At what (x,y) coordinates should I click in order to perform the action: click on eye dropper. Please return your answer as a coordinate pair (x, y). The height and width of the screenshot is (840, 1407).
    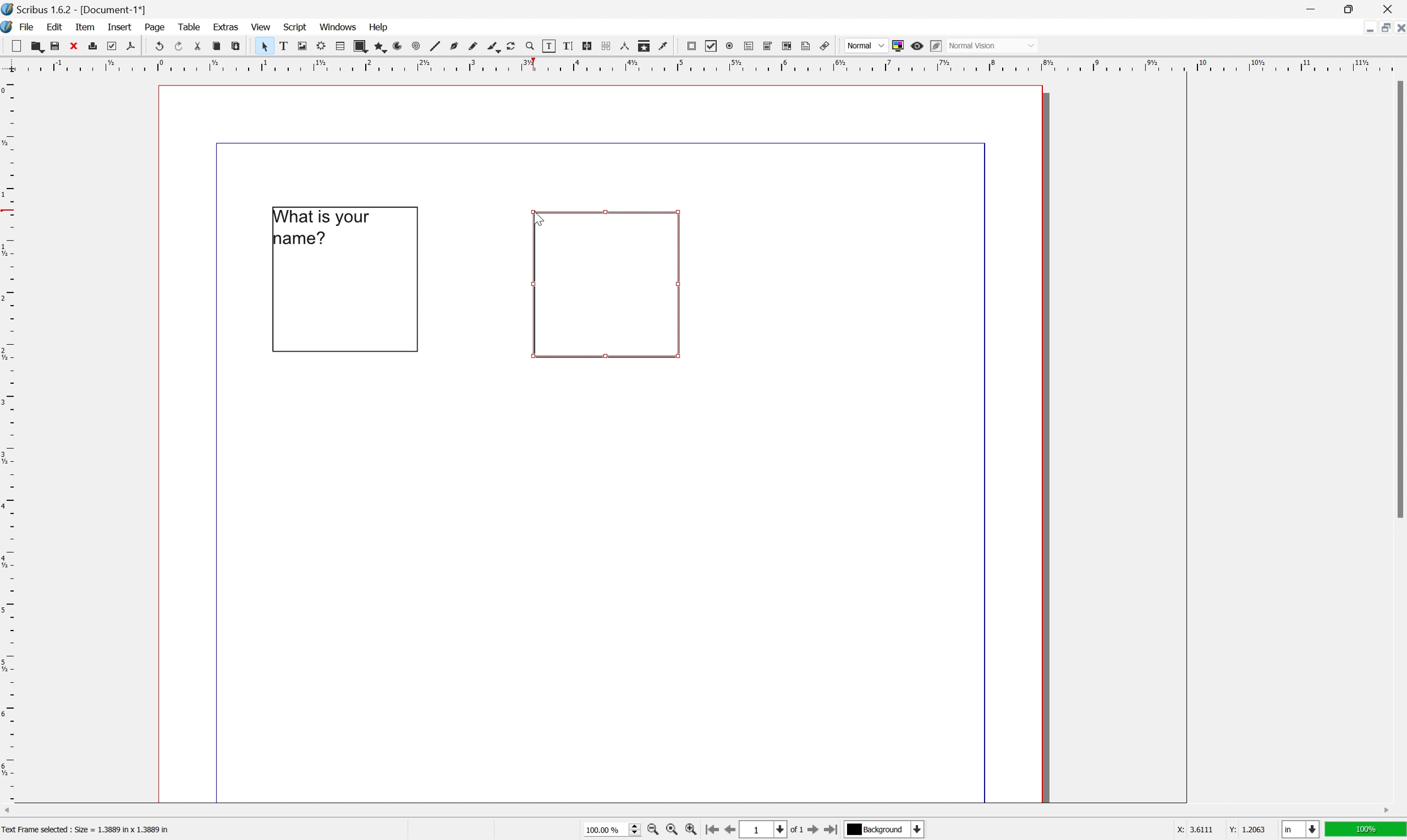
    Looking at the image, I should click on (664, 46).